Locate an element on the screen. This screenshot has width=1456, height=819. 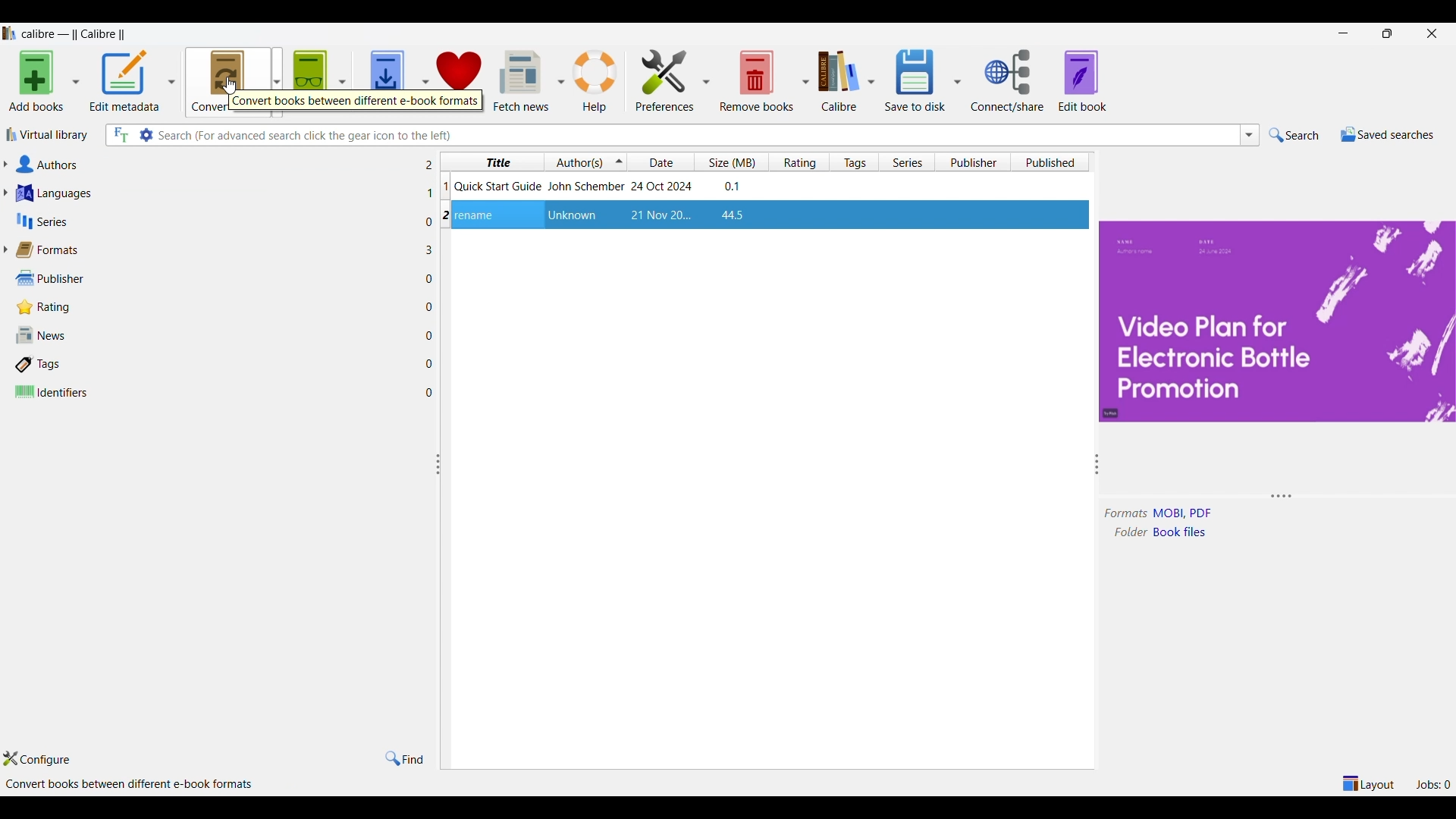
Number of files w.r.t. each column is located at coordinates (429, 282).